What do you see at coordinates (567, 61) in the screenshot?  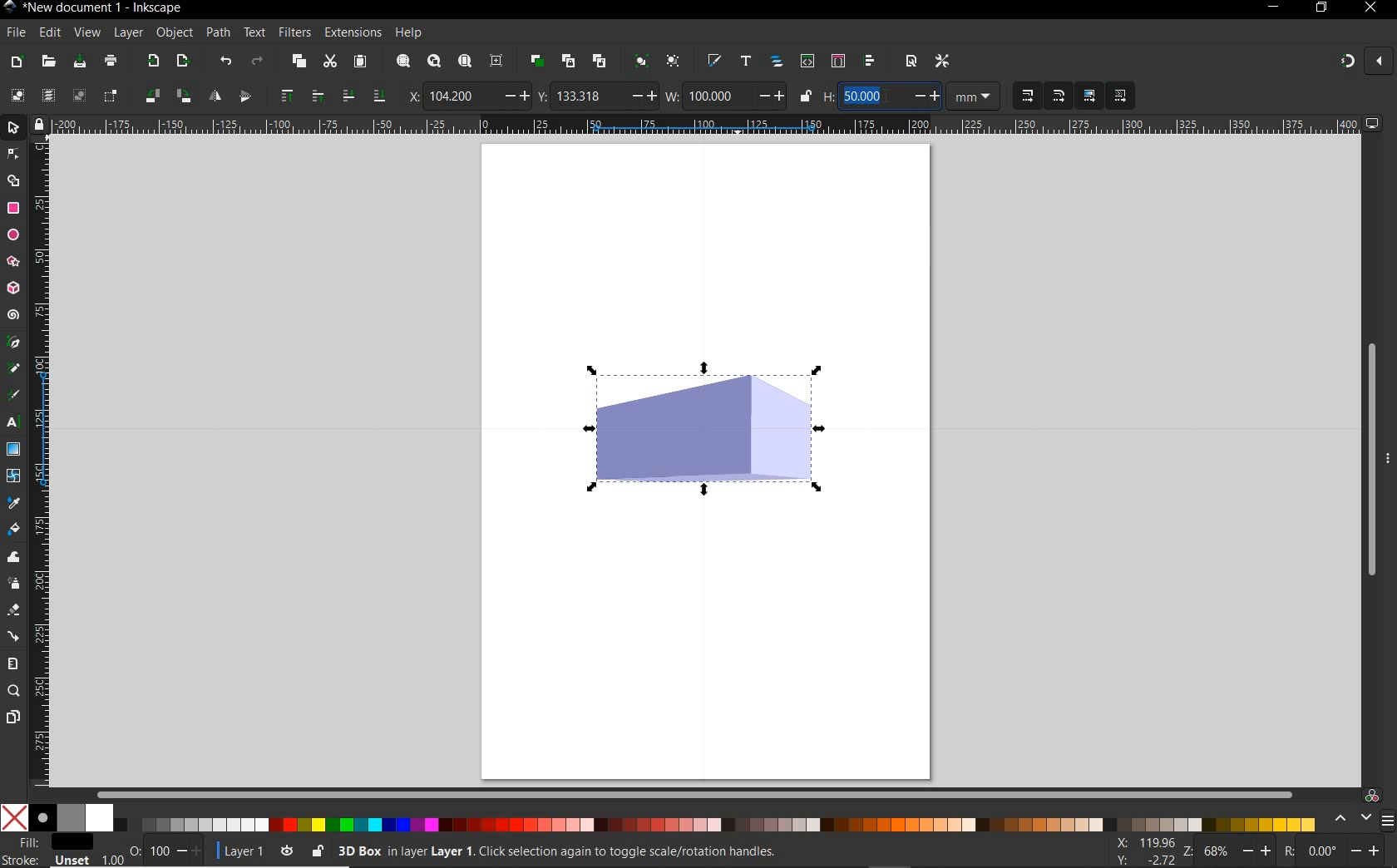 I see `create clone` at bounding box center [567, 61].